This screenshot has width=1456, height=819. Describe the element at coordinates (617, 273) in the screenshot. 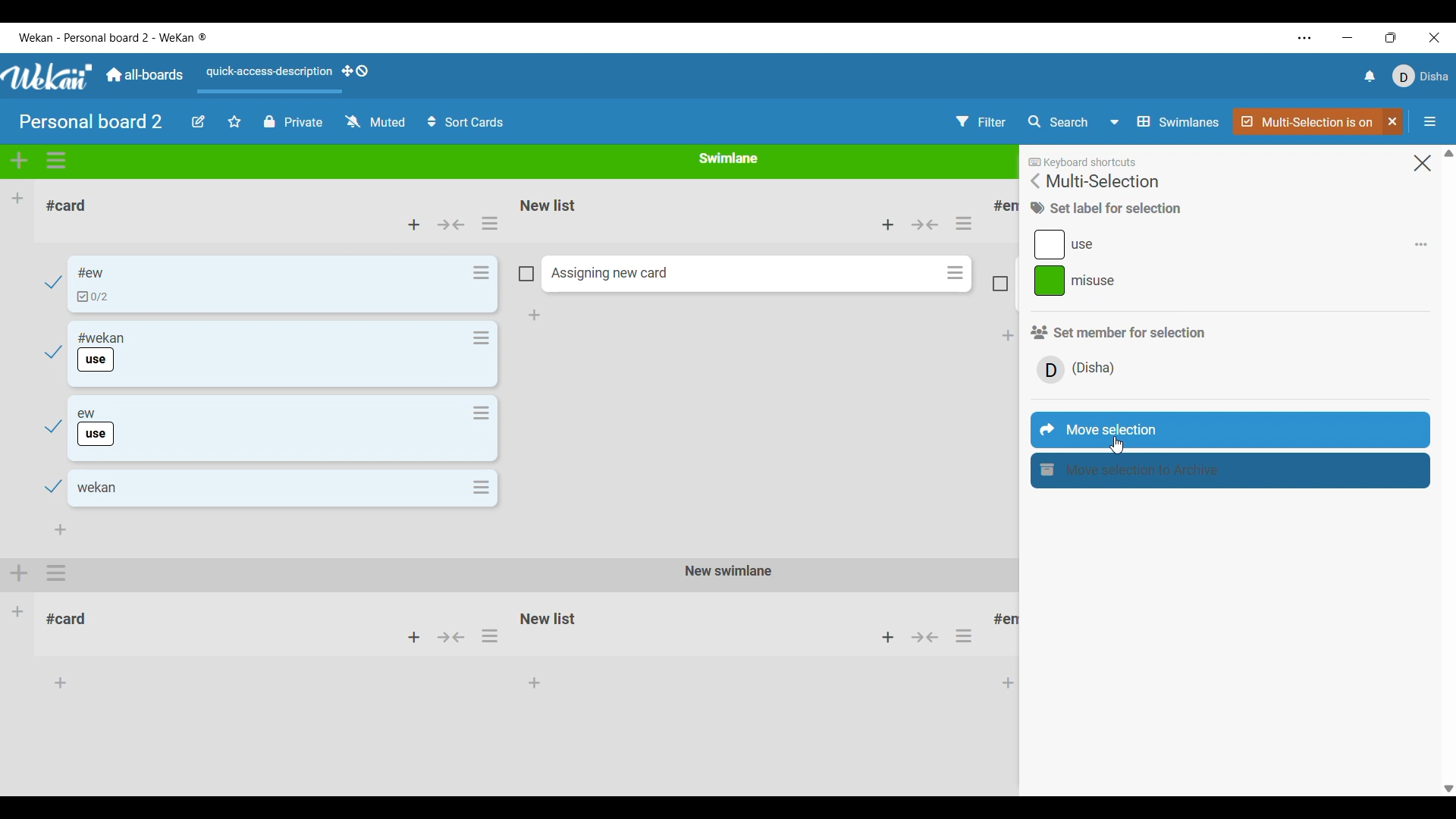

I see `Assigning Card name` at that location.